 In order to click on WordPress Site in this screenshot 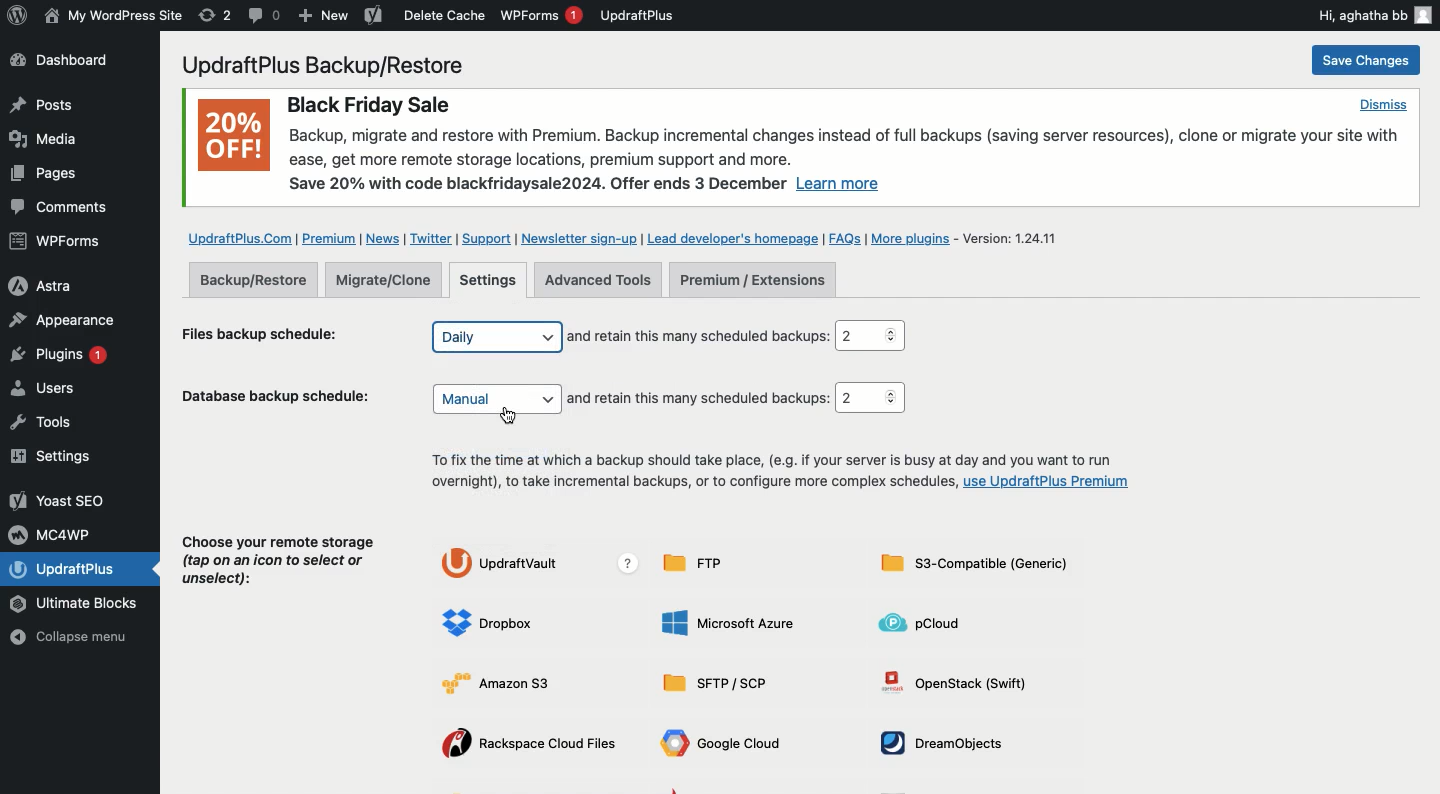, I will do `click(111, 16)`.